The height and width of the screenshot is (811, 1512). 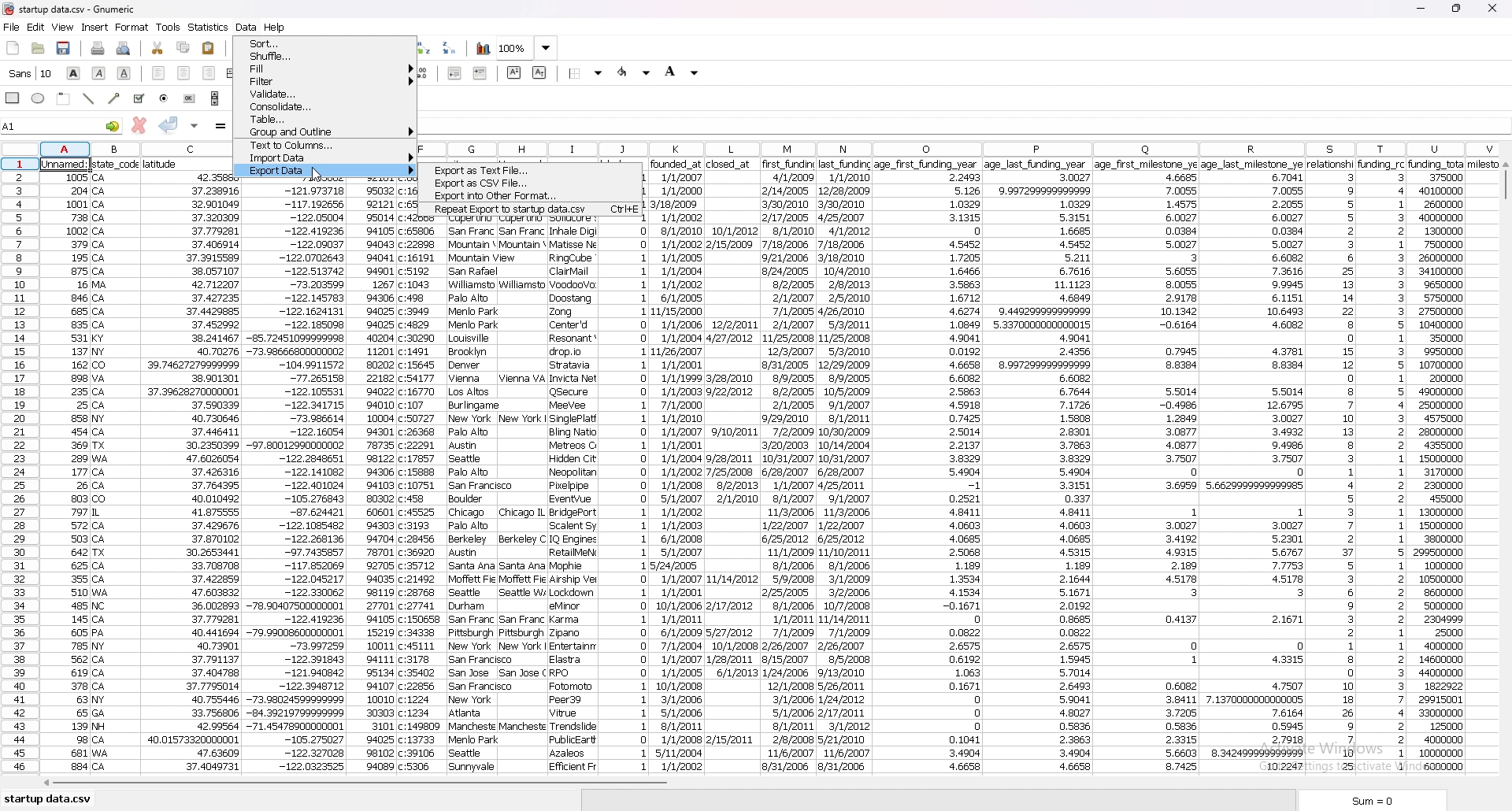 I want to click on export as csv, so click(x=533, y=183).